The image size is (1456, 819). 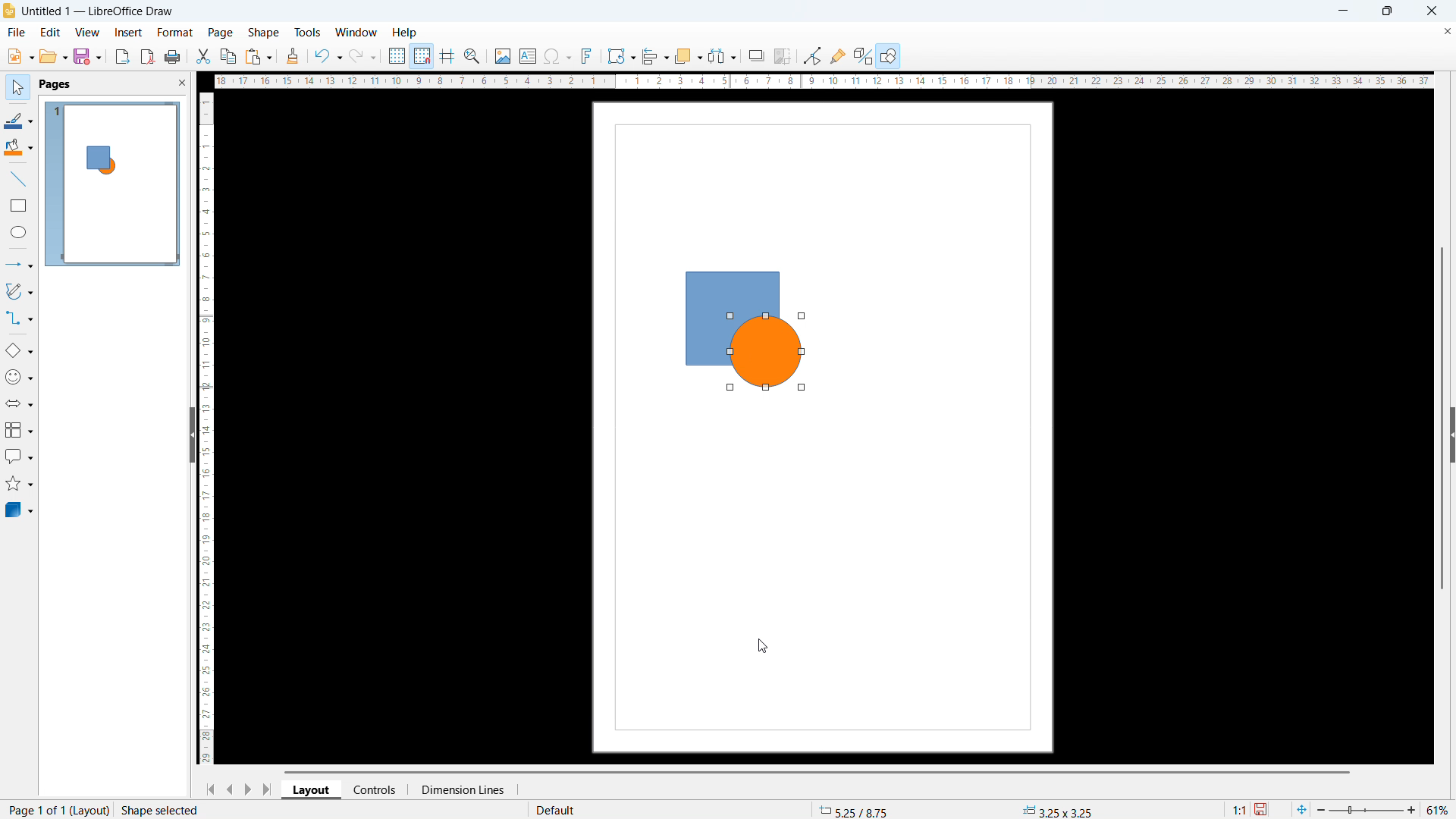 I want to click on paste, so click(x=259, y=56).